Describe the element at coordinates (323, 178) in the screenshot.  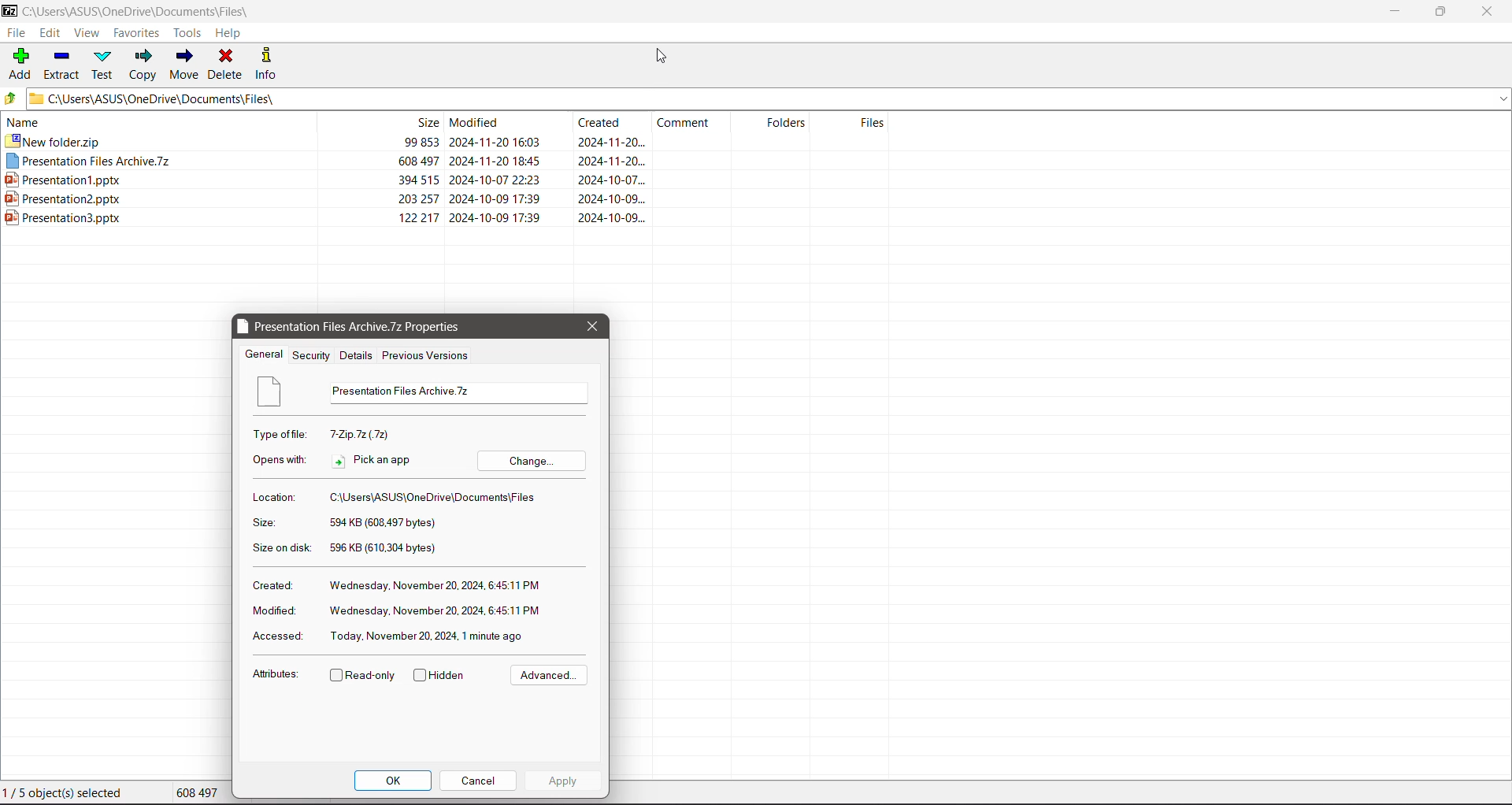
I see `Presentation1.pptx 394 515 2024-10-07 22:23 2024-10-07.` at that location.